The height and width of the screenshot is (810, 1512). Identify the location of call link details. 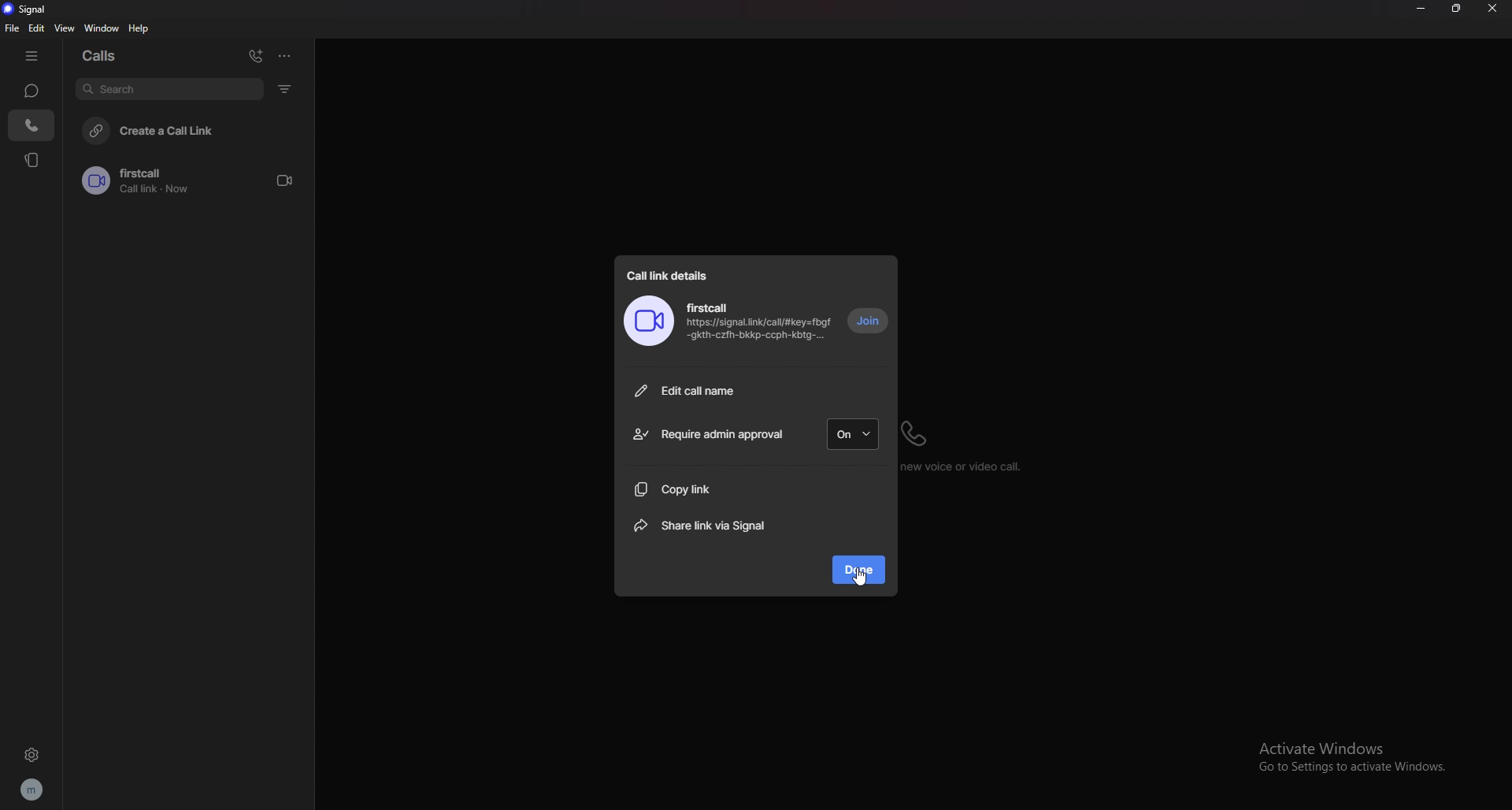
(673, 273).